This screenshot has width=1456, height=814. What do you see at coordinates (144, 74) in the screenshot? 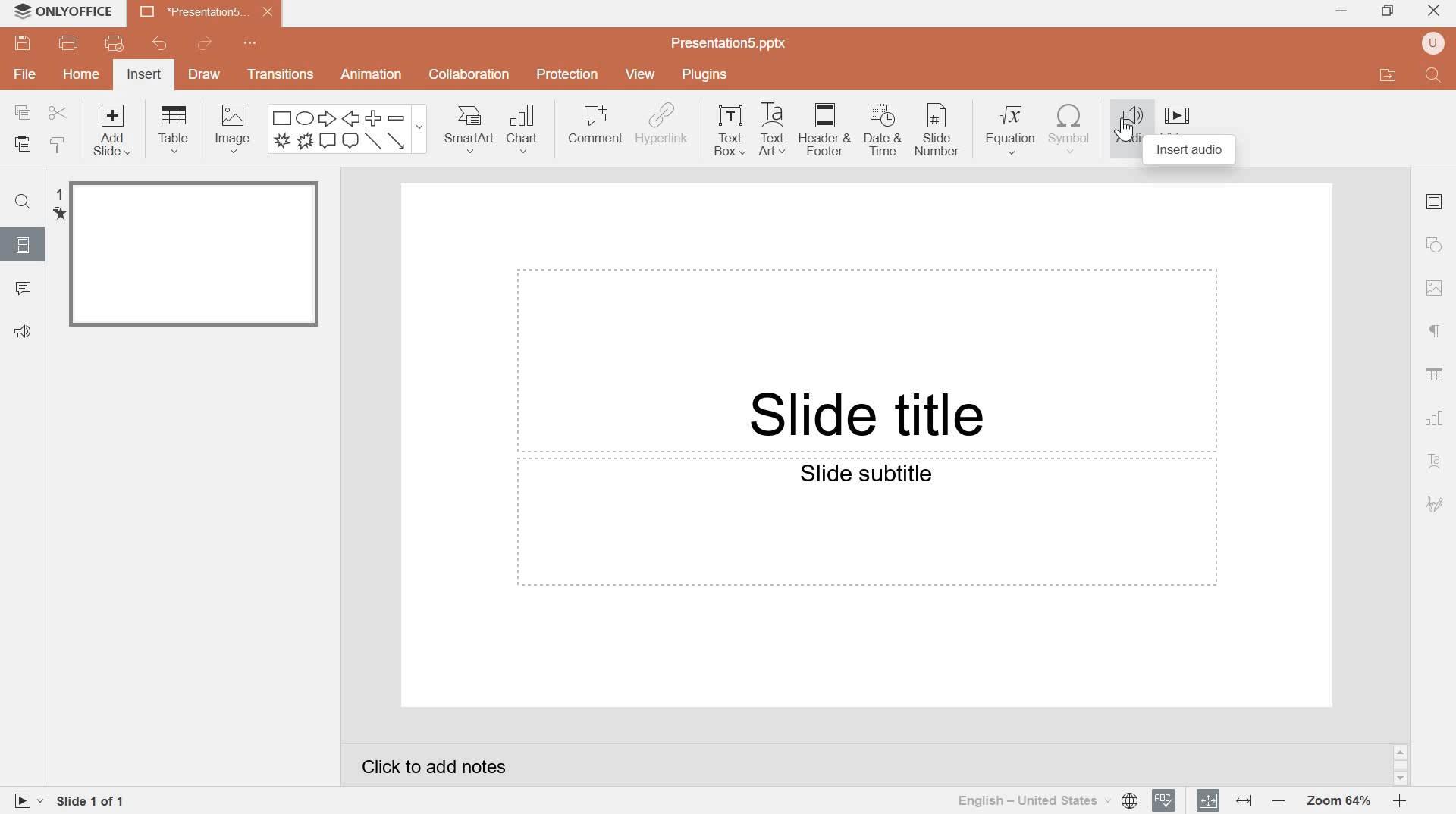
I see `Insert` at bounding box center [144, 74].